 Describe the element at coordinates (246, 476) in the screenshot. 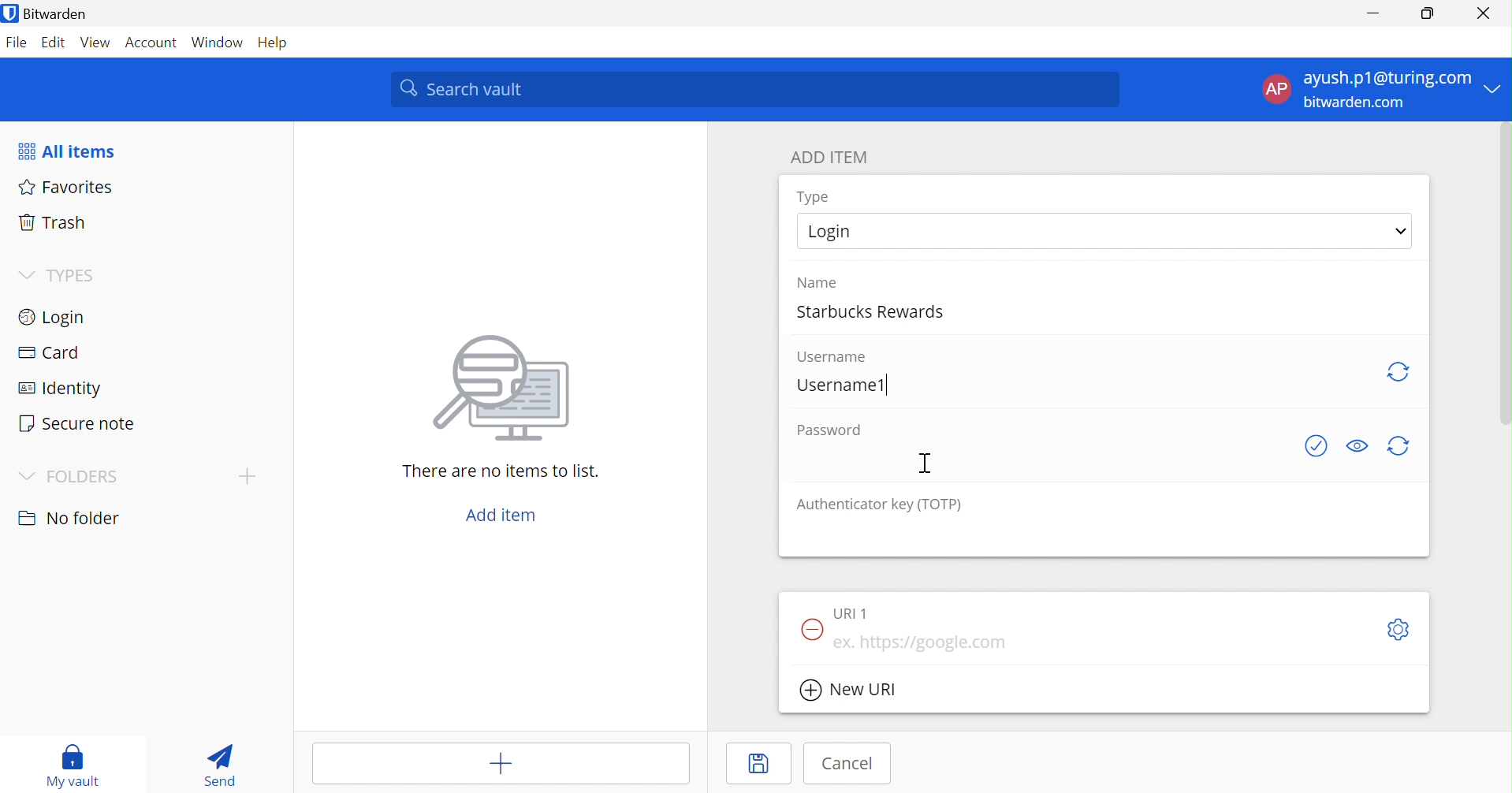

I see `Drop Down` at that location.